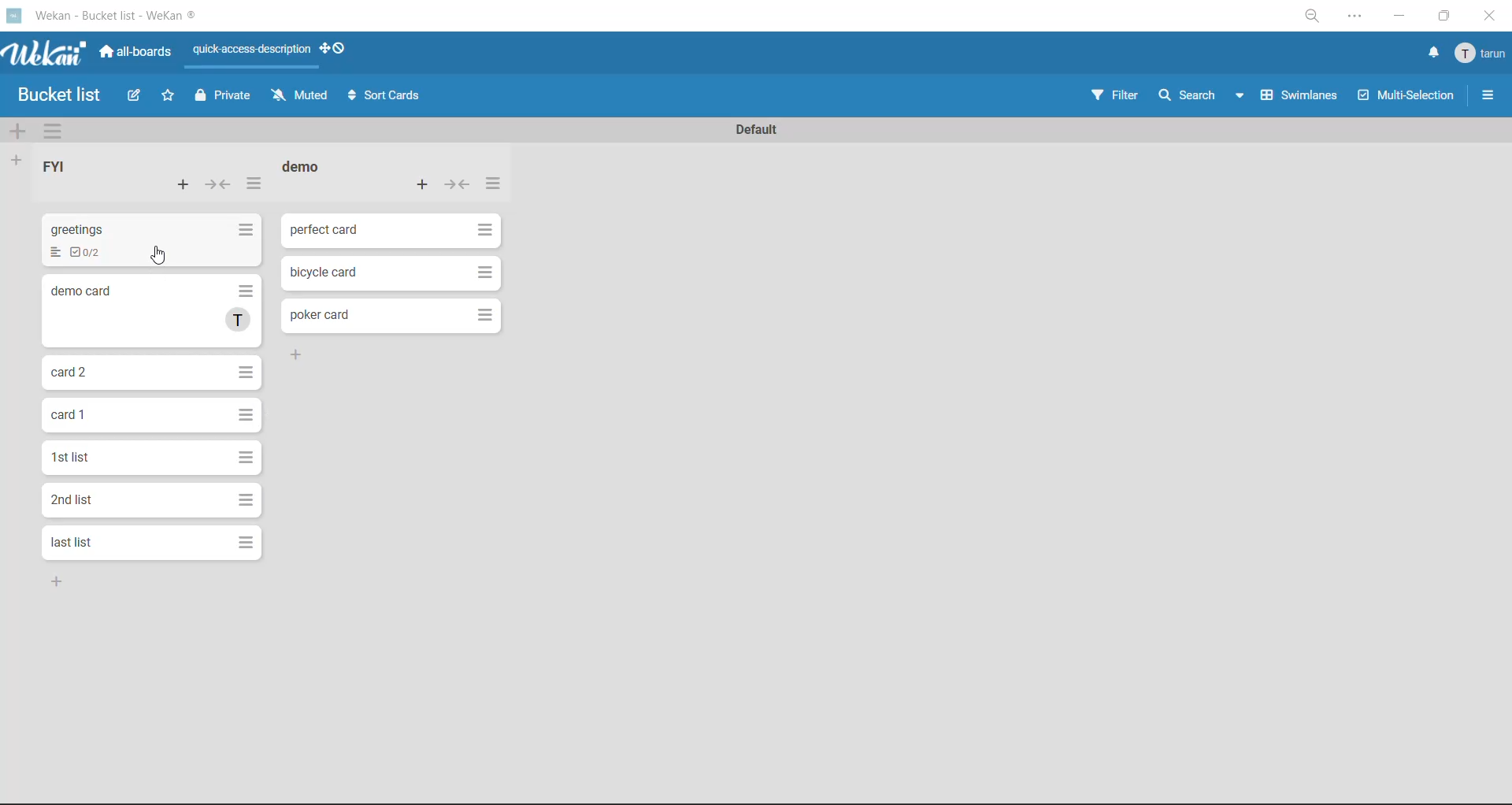  Describe the element at coordinates (391, 232) in the screenshot. I see `card 1` at that location.